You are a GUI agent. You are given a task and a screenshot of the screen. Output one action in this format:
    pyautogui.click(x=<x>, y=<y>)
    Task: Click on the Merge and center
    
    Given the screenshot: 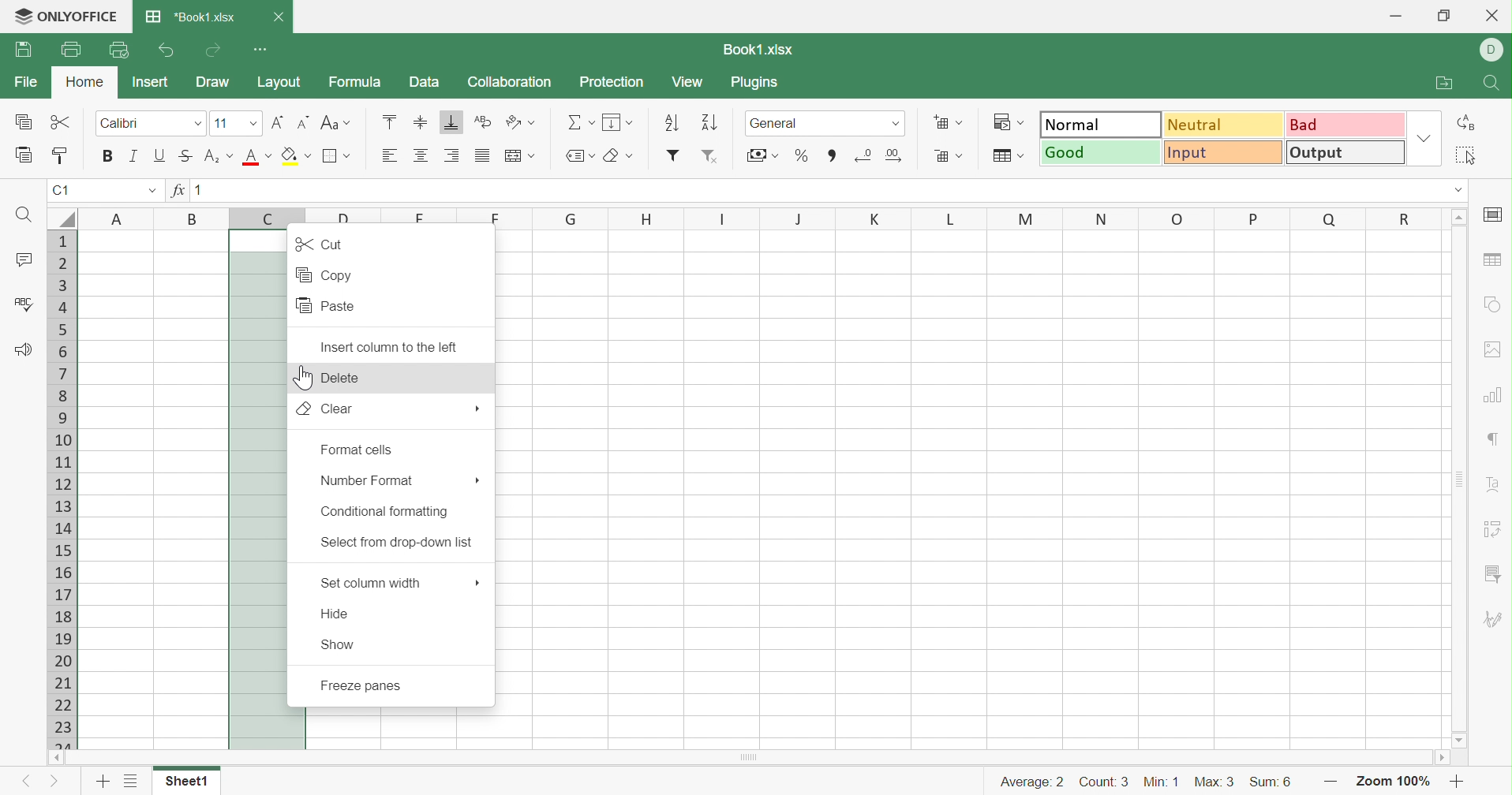 What is the action you would take?
    pyautogui.click(x=325, y=156)
    